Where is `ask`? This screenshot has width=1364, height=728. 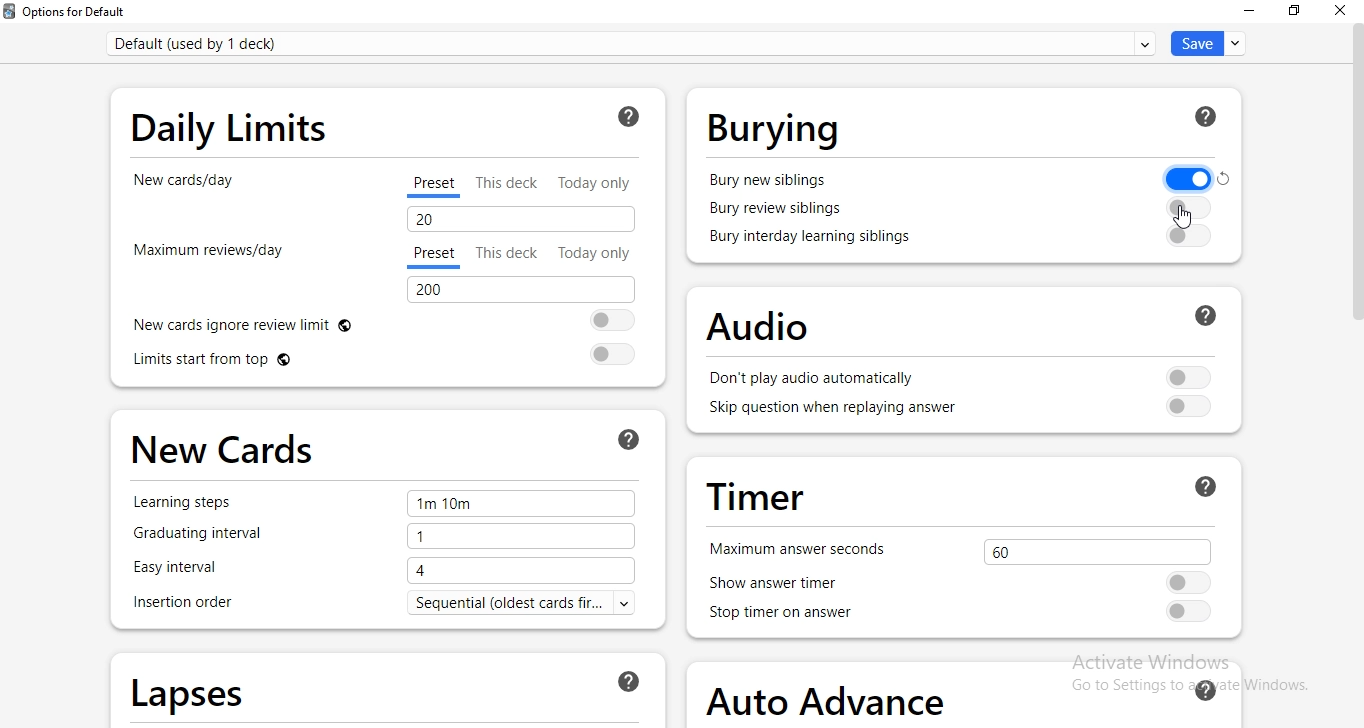 ask is located at coordinates (628, 119).